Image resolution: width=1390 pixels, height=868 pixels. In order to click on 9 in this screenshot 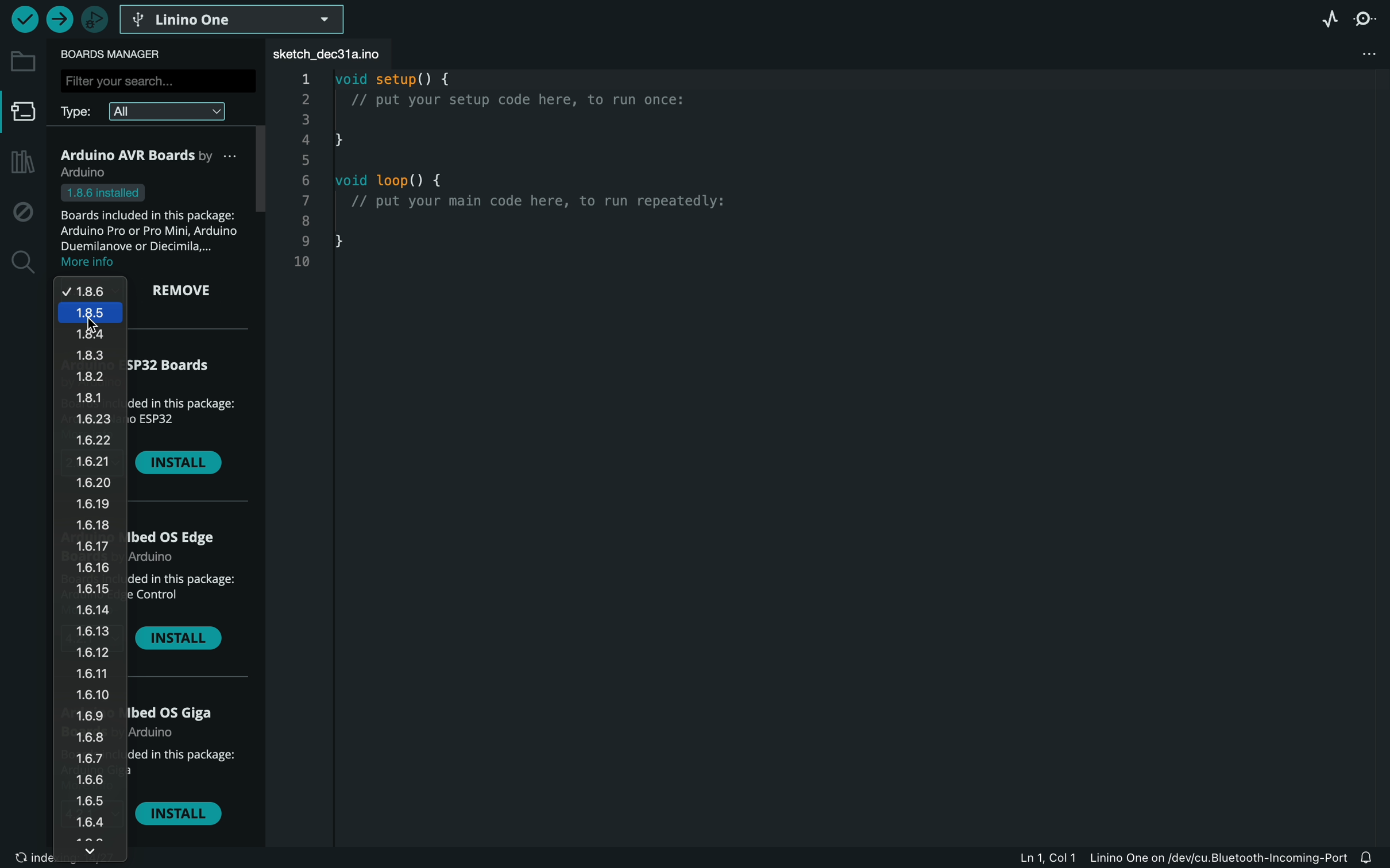, I will do `click(302, 242)`.